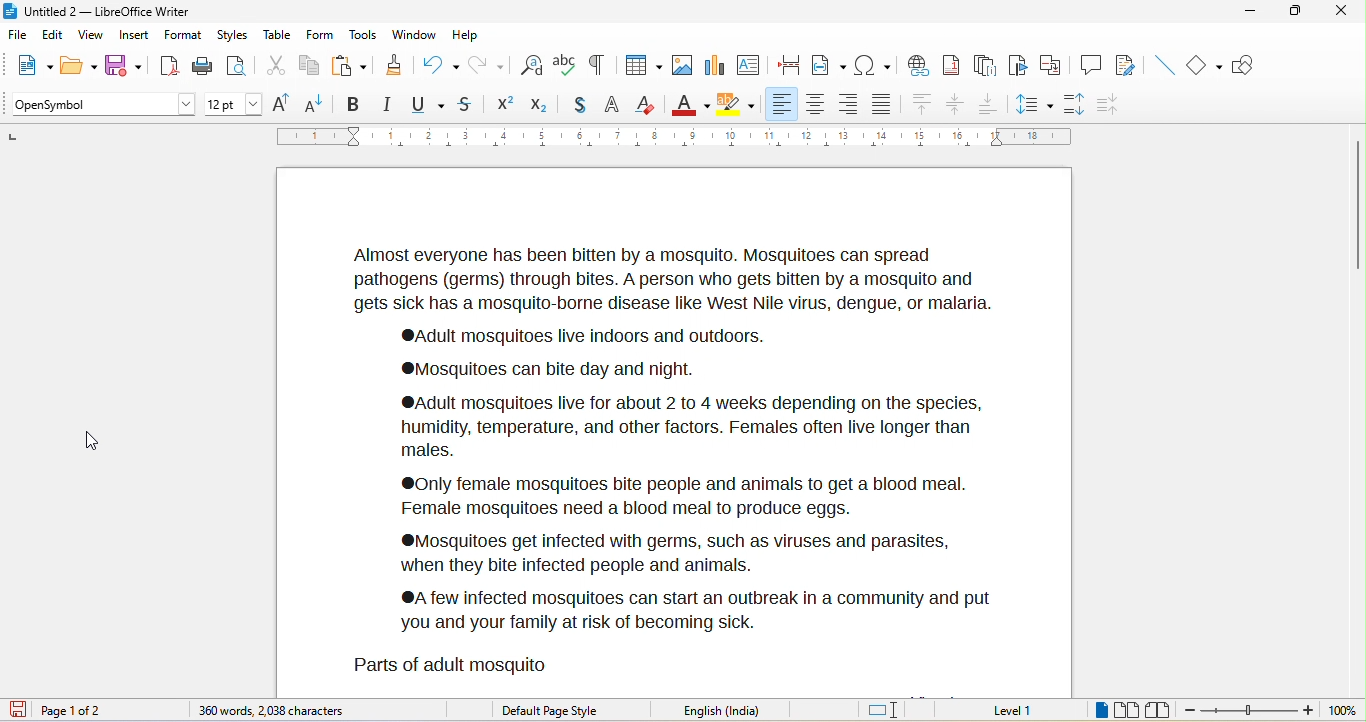  Describe the element at coordinates (647, 102) in the screenshot. I see `clear direct formatting` at that location.